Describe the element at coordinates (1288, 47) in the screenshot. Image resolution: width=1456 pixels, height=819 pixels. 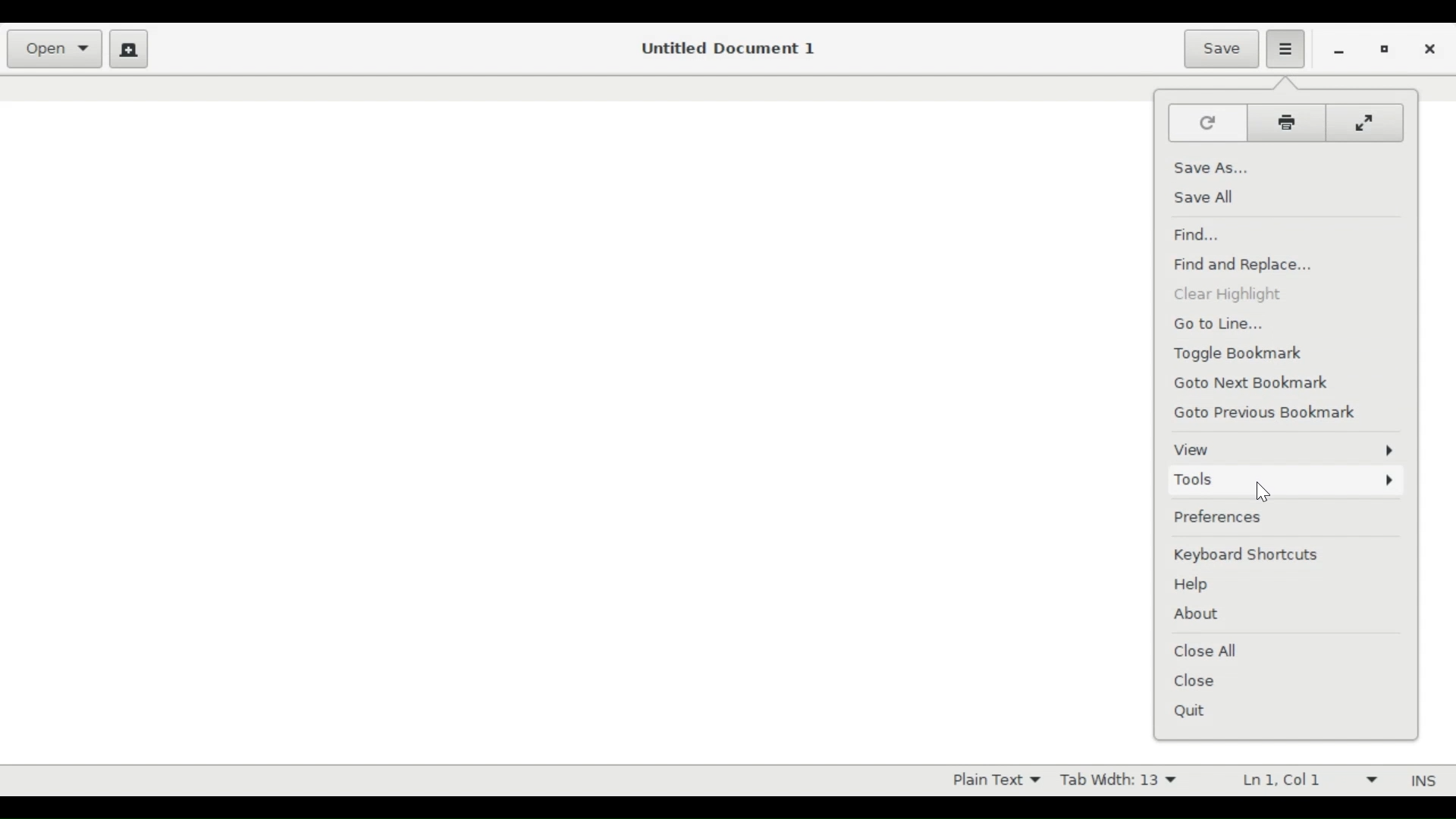
I see `Application menu` at that location.